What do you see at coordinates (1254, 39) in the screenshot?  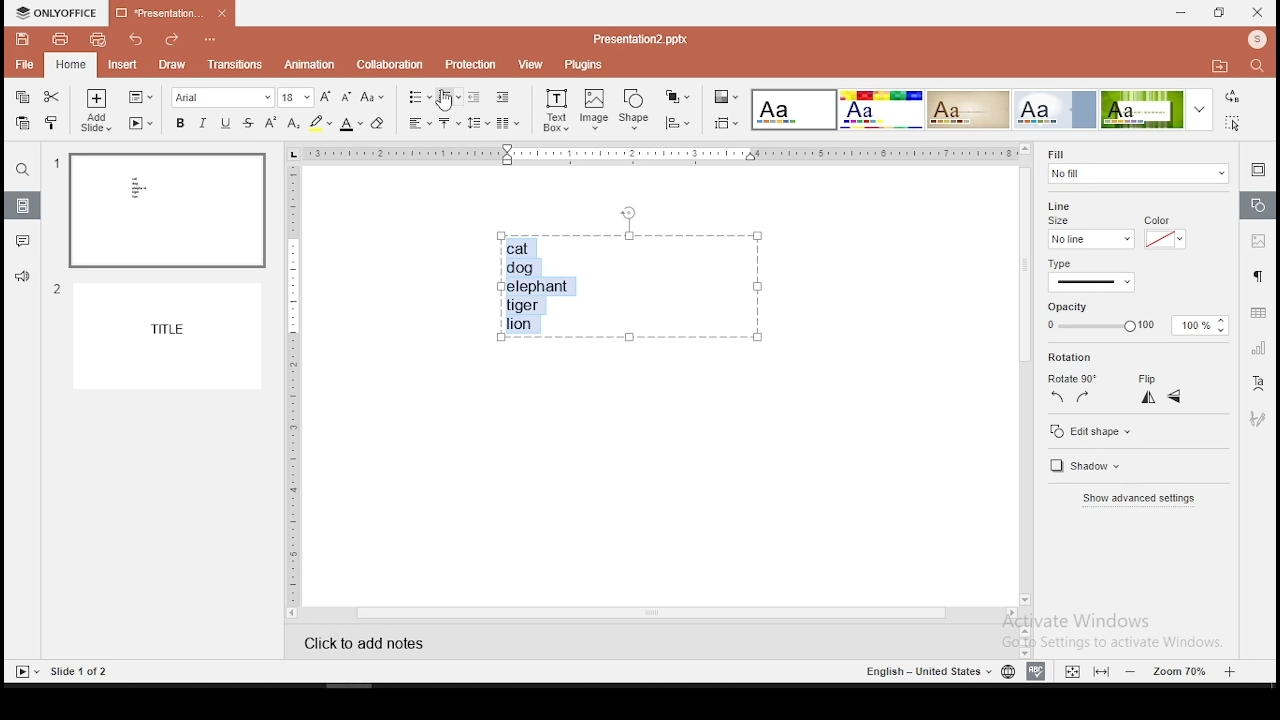 I see `profile` at bounding box center [1254, 39].